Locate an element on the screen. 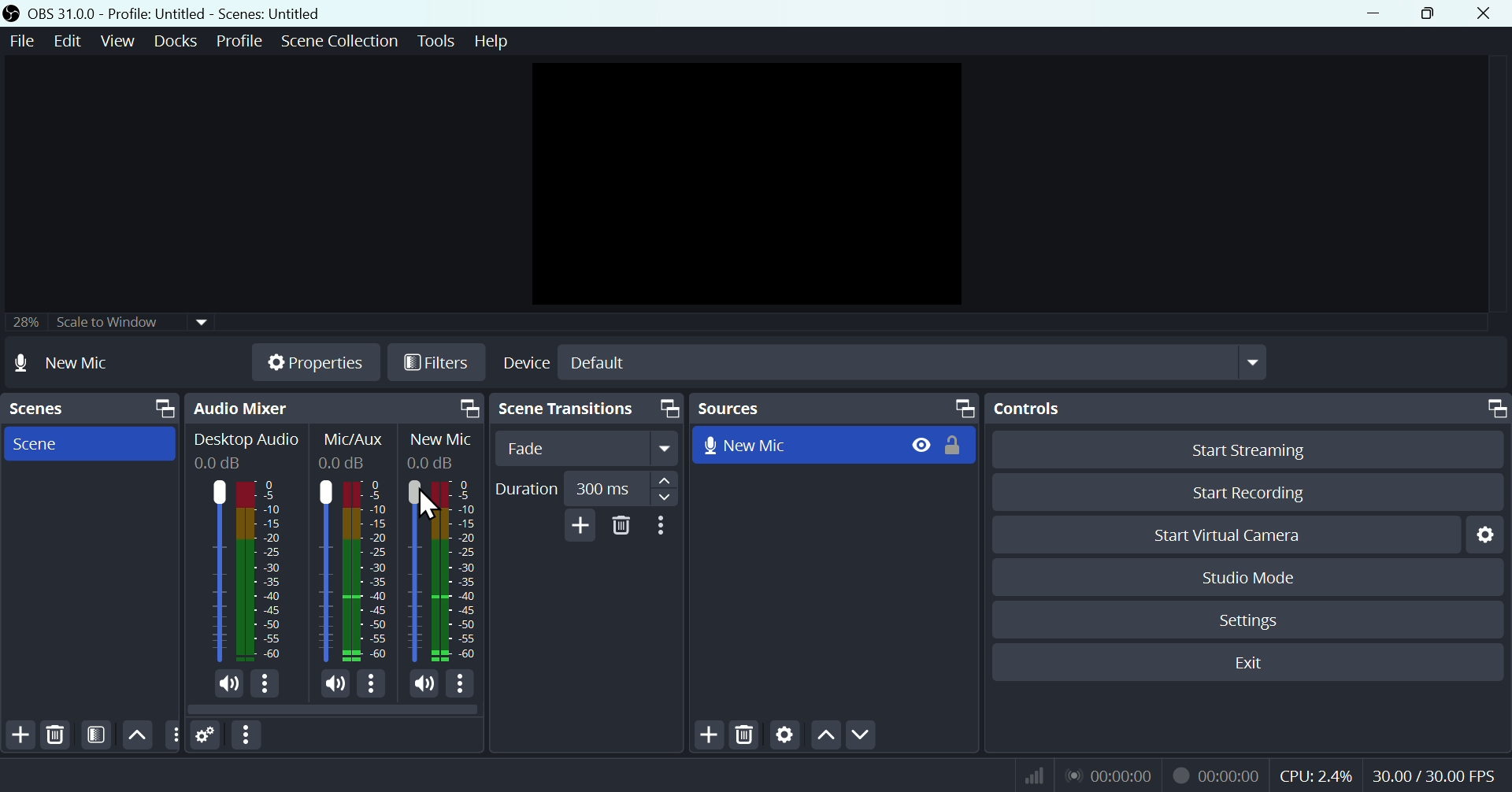 This screenshot has width=1512, height=792. Scene is located at coordinates (86, 442).